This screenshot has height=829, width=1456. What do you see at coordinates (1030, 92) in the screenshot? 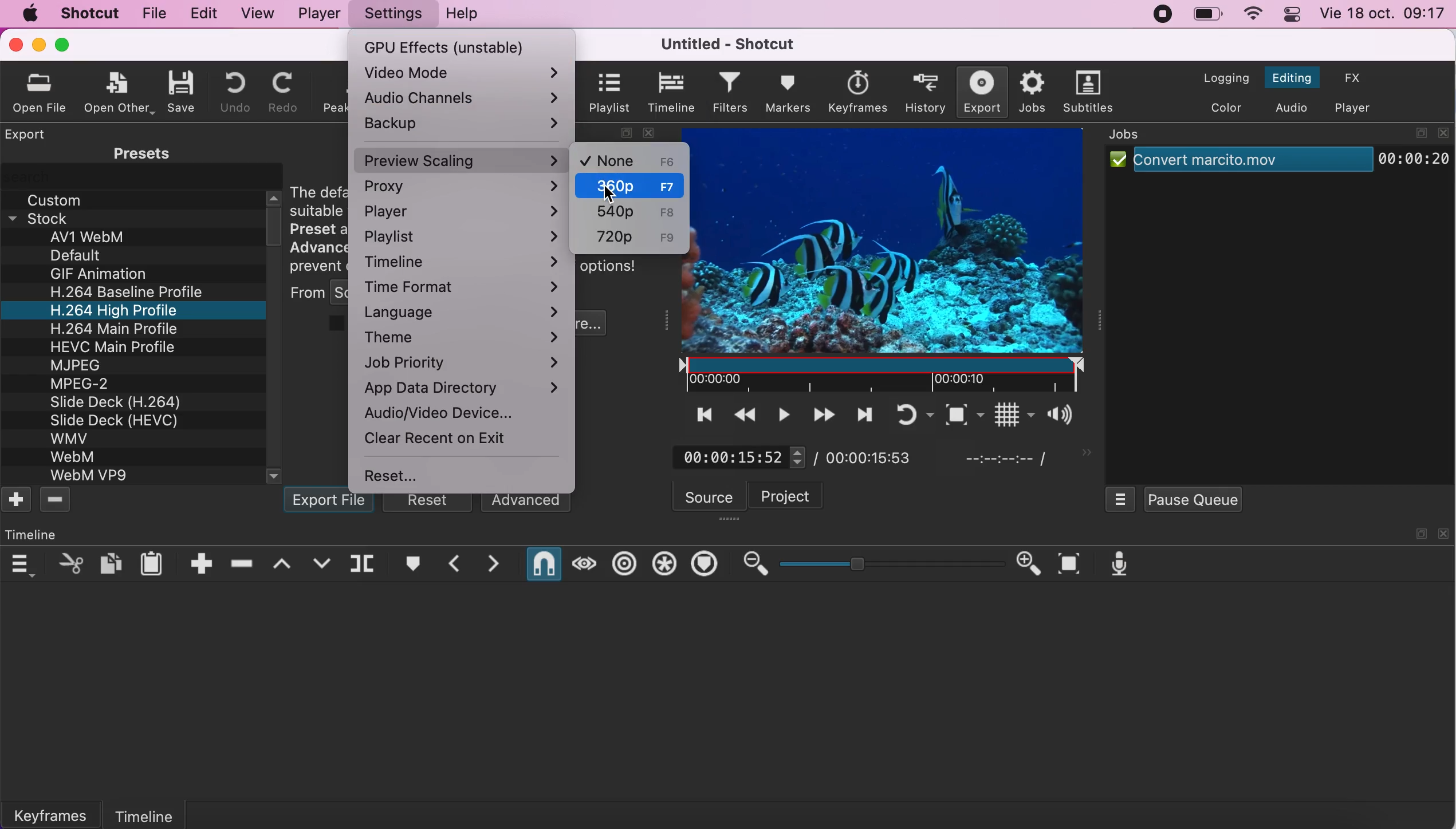
I see `jobs` at bounding box center [1030, 92].